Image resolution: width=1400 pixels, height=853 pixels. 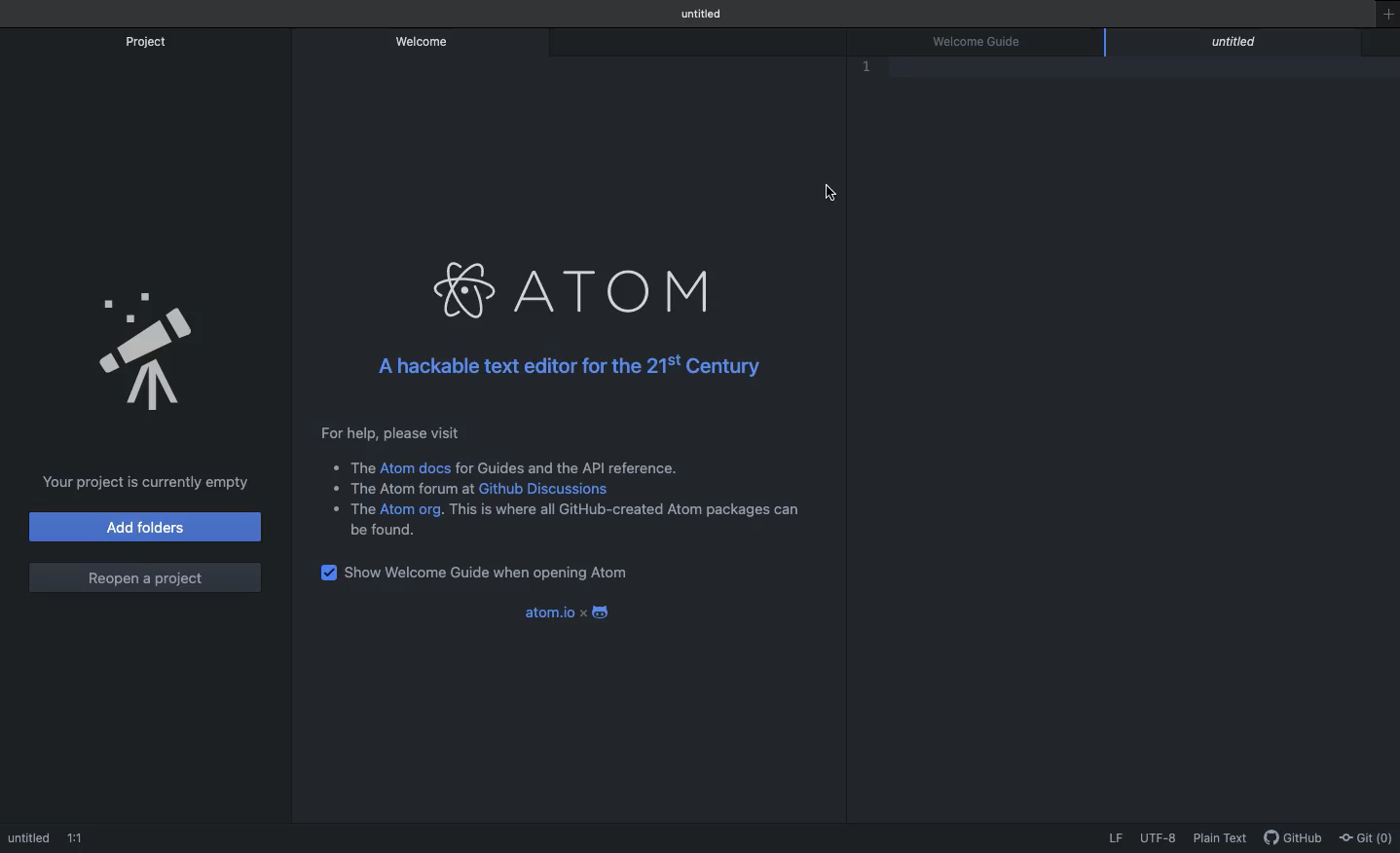 I want to click on Git, so click(x=1364, y=834).